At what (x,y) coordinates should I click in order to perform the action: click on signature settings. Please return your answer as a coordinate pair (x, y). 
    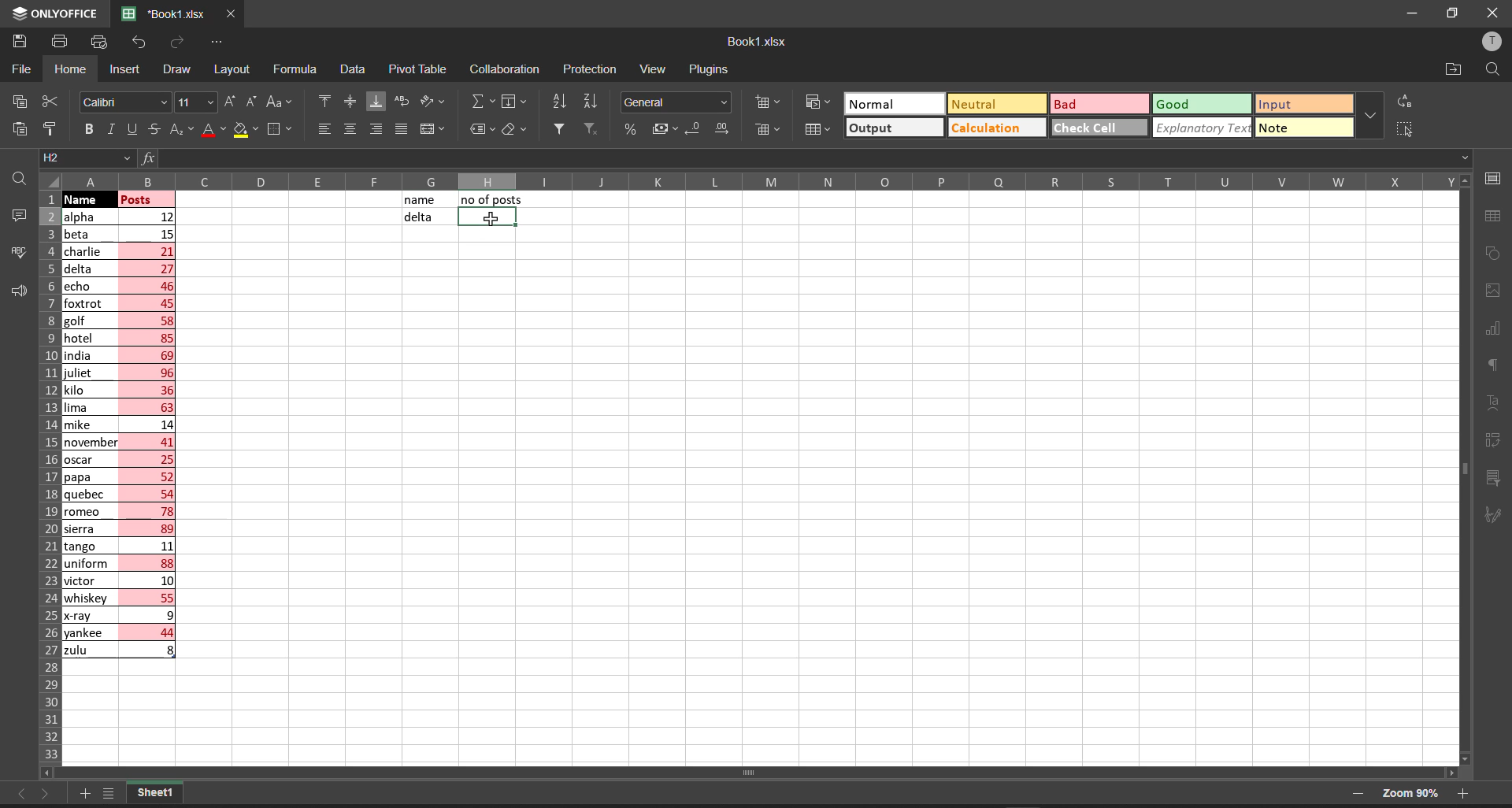
    Looking at the image, I should click on (1498, 513).